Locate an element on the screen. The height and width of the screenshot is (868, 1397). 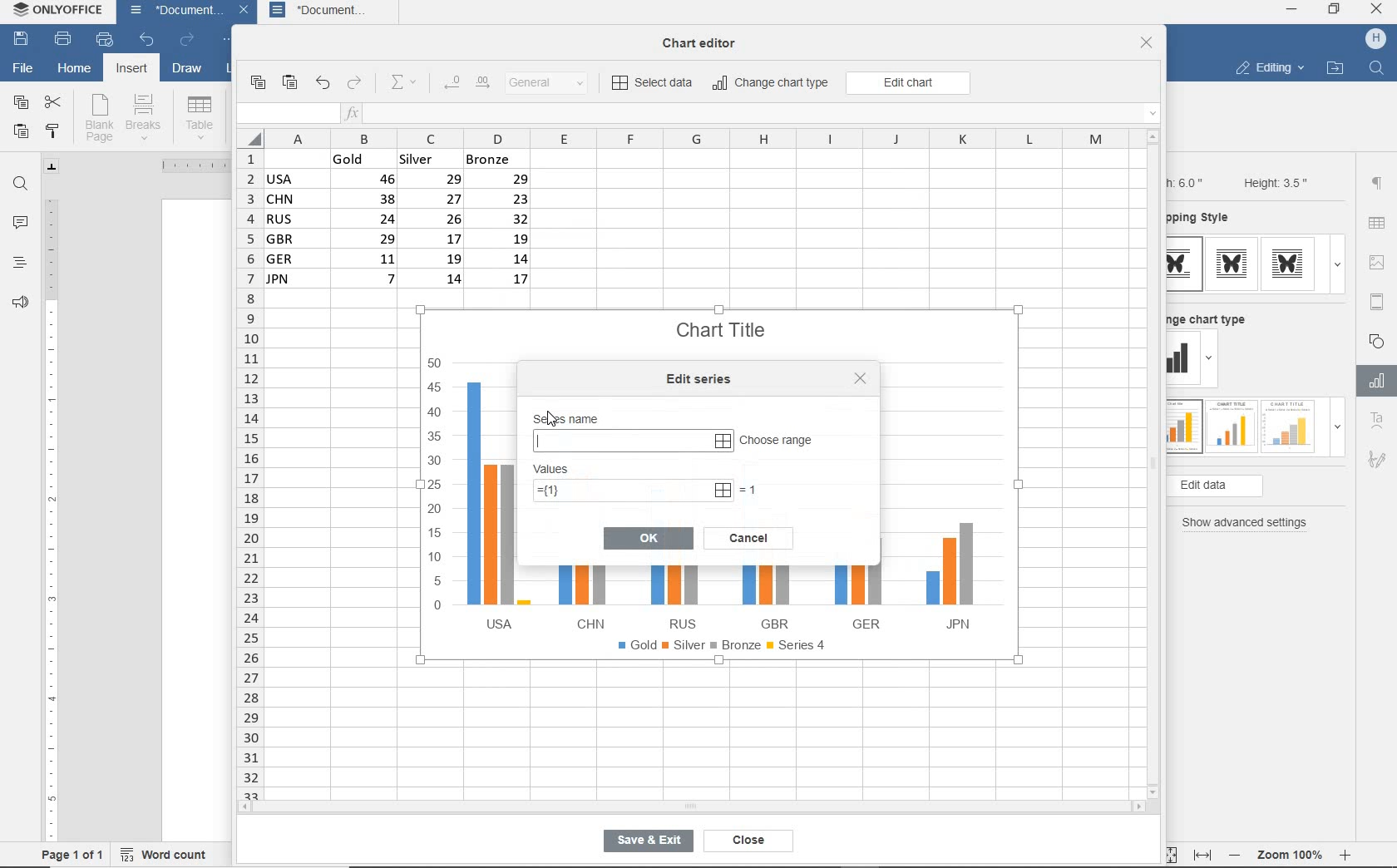
columns is located at coordinates (684, 138).